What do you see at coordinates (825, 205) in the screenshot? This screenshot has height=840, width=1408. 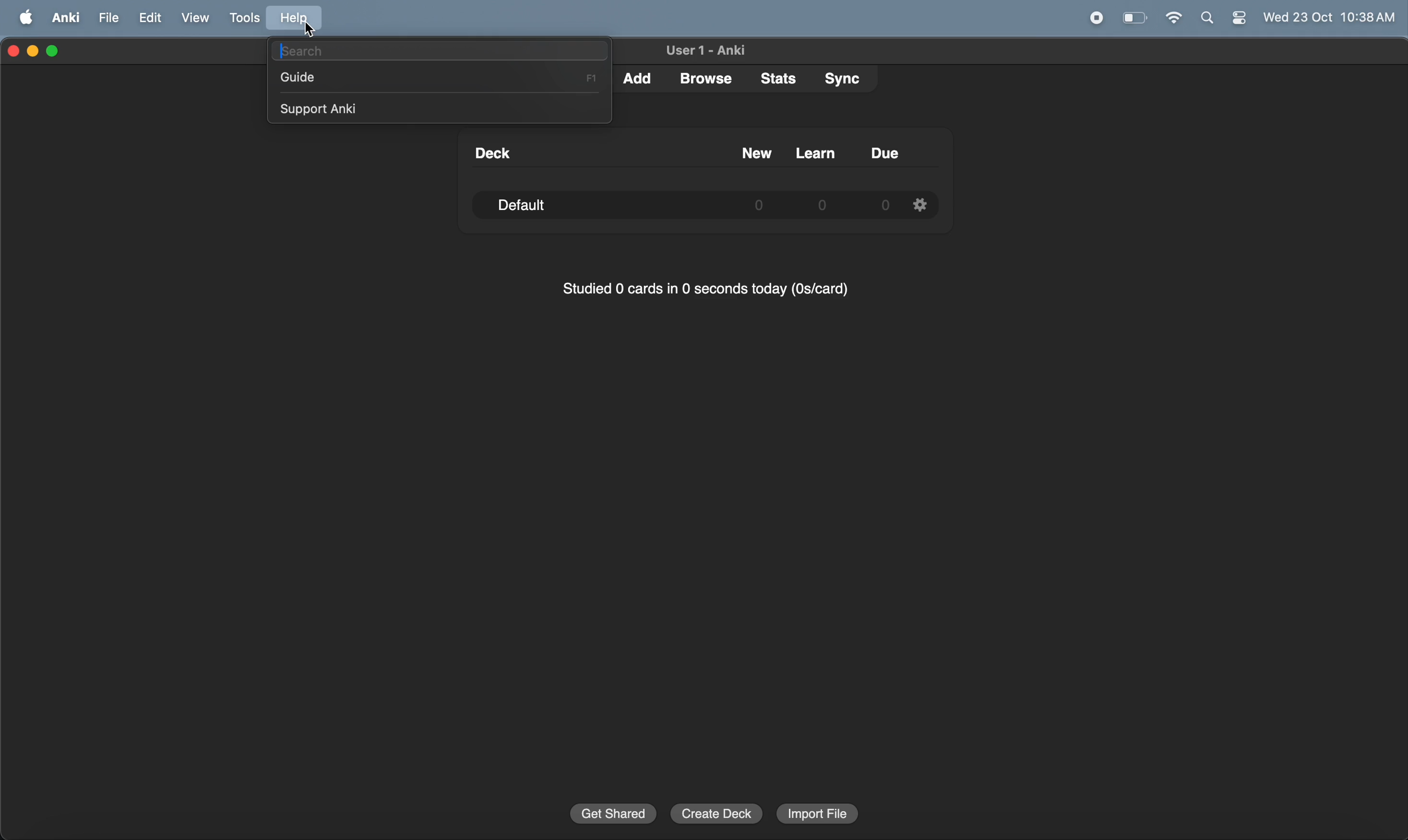 I see `number` at bounding box center [825, 205].